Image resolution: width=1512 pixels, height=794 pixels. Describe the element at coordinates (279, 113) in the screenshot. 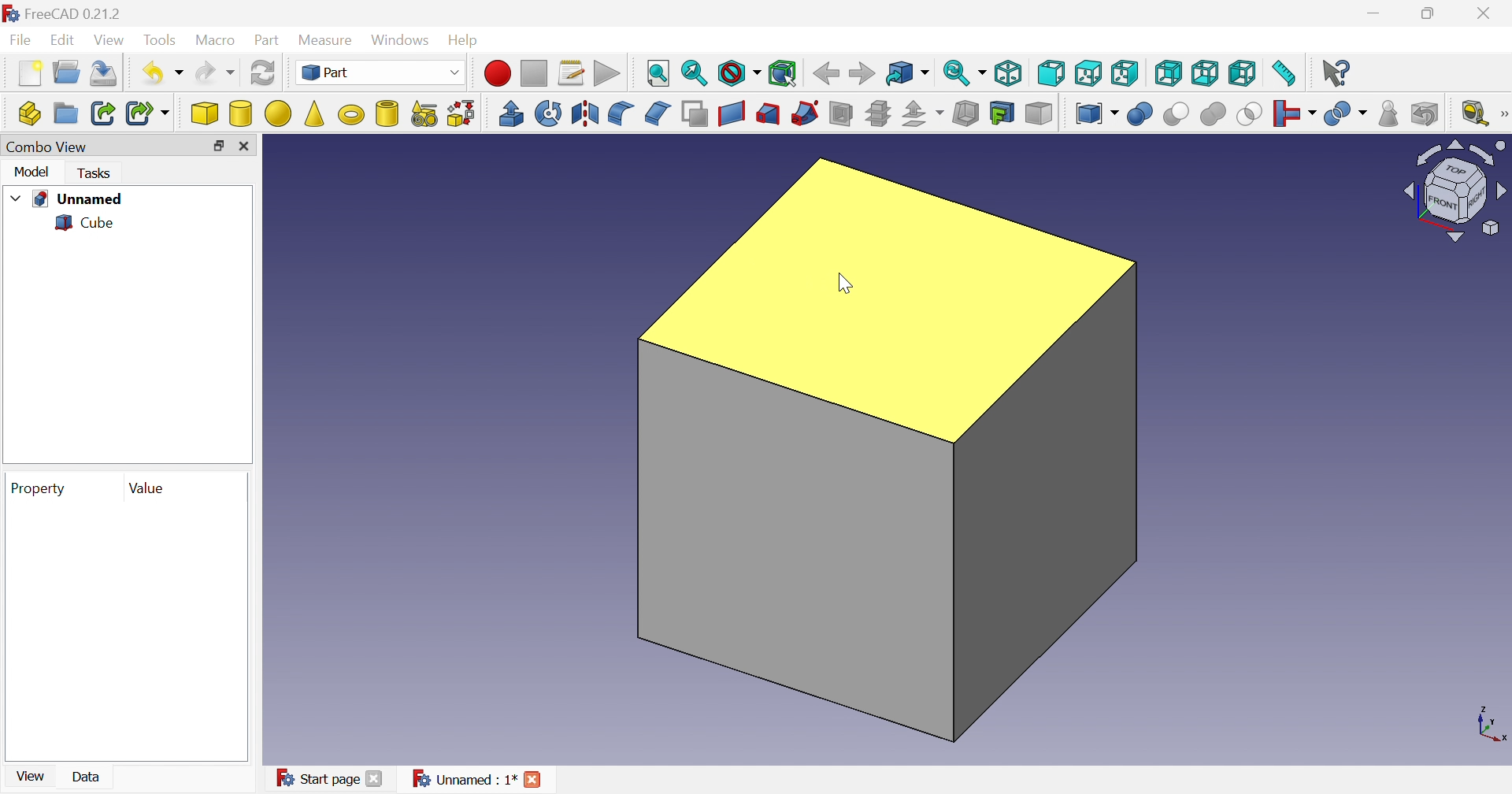

I see `Sphere` at that location.